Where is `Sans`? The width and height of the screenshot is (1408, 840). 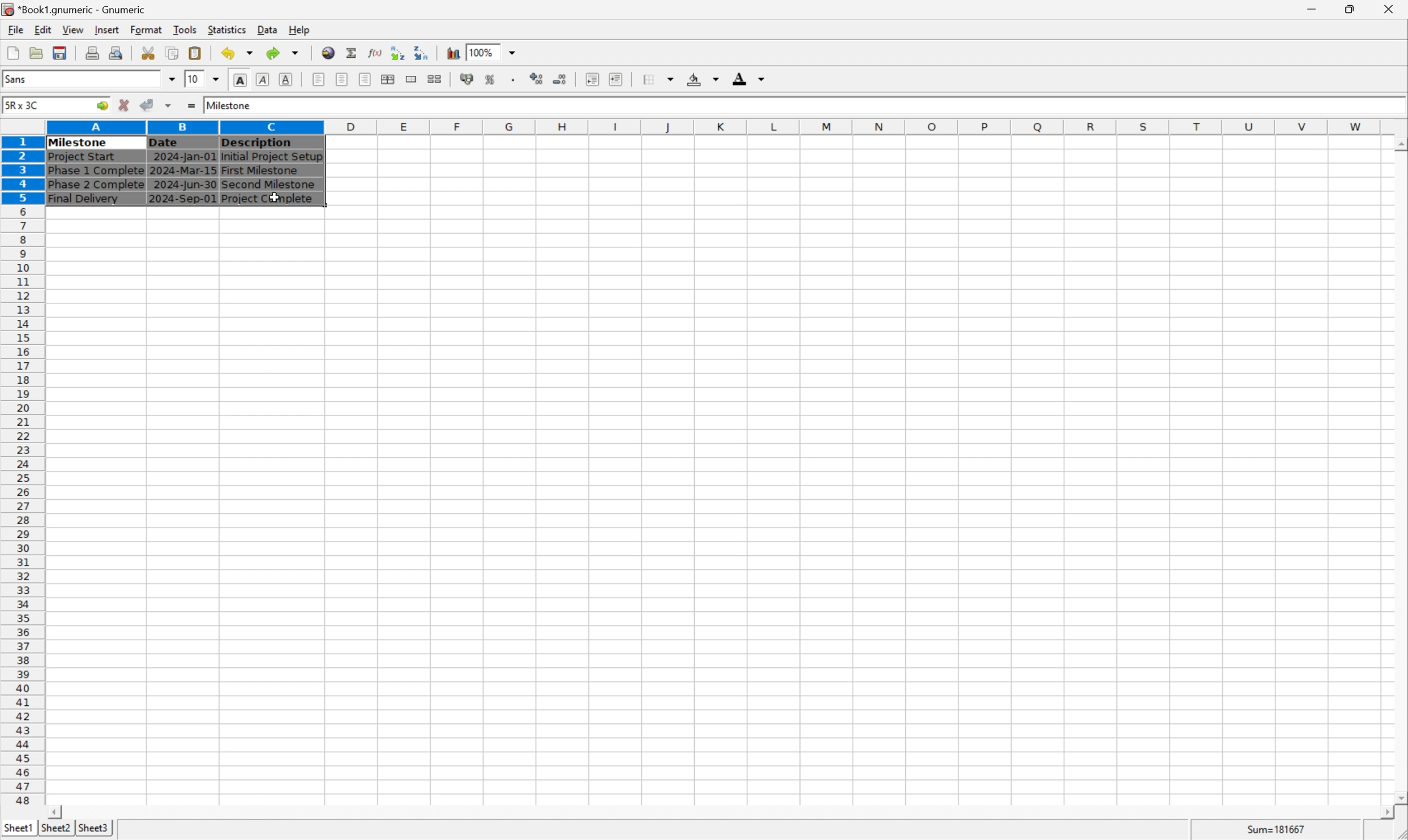
Sans is located at coordinates (19, 78).